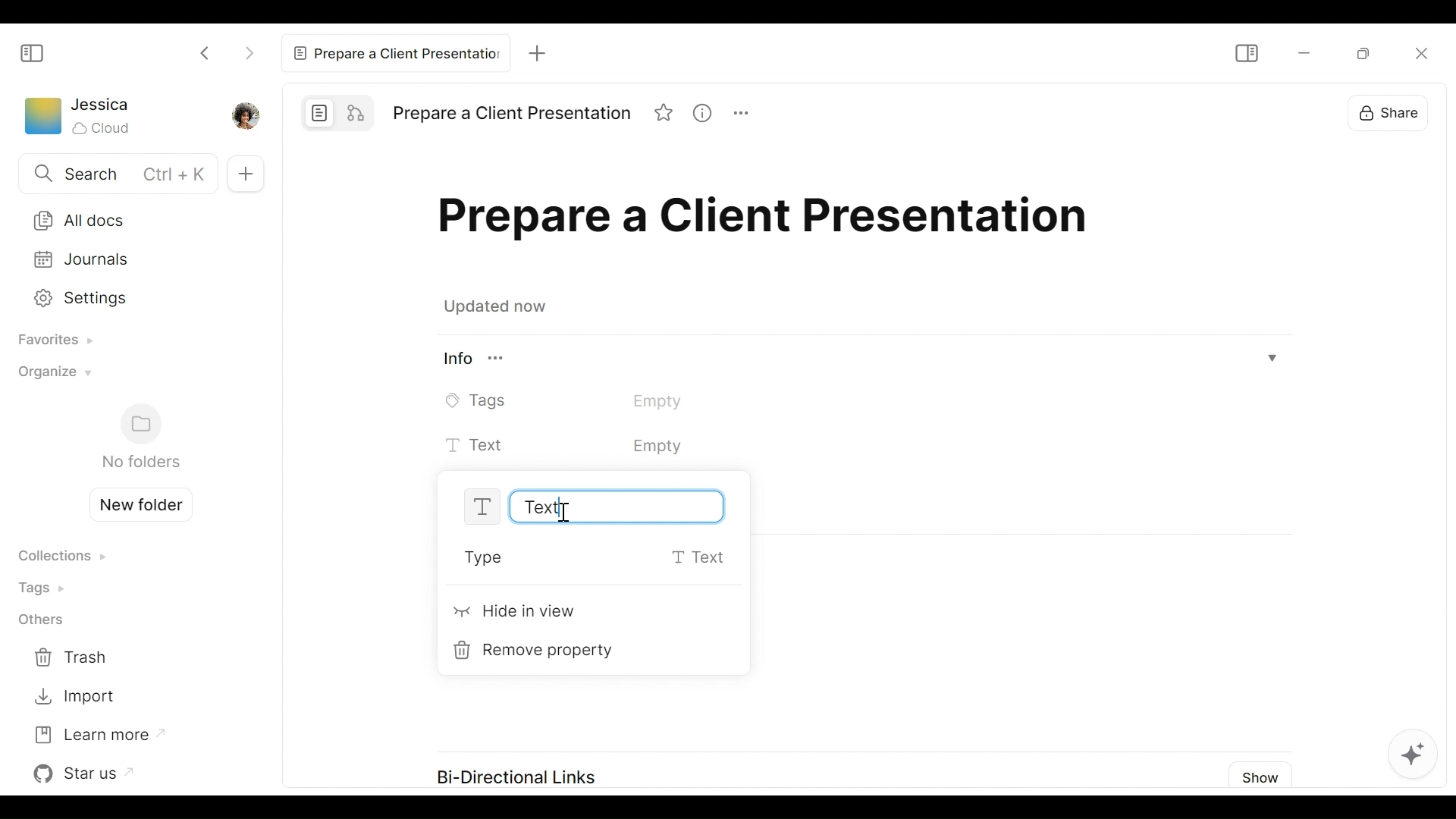 The width and height of the screenshot is (1456, 819). Describe the element at coordinates (511, 114) in the screenshot. I see `Title` at that location.